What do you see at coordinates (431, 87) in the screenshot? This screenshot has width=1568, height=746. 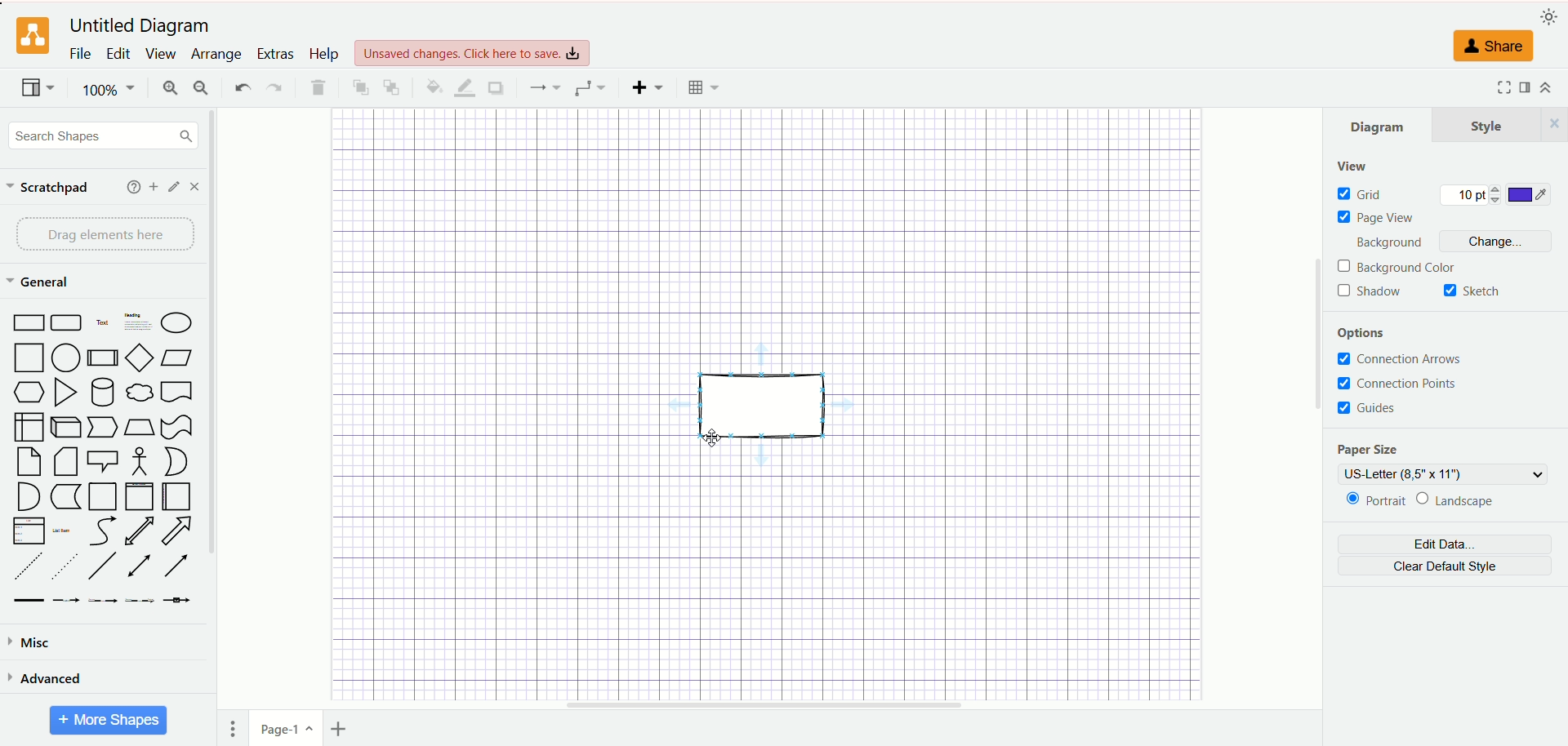 I see `fill color` at bounding box center [431, 87].